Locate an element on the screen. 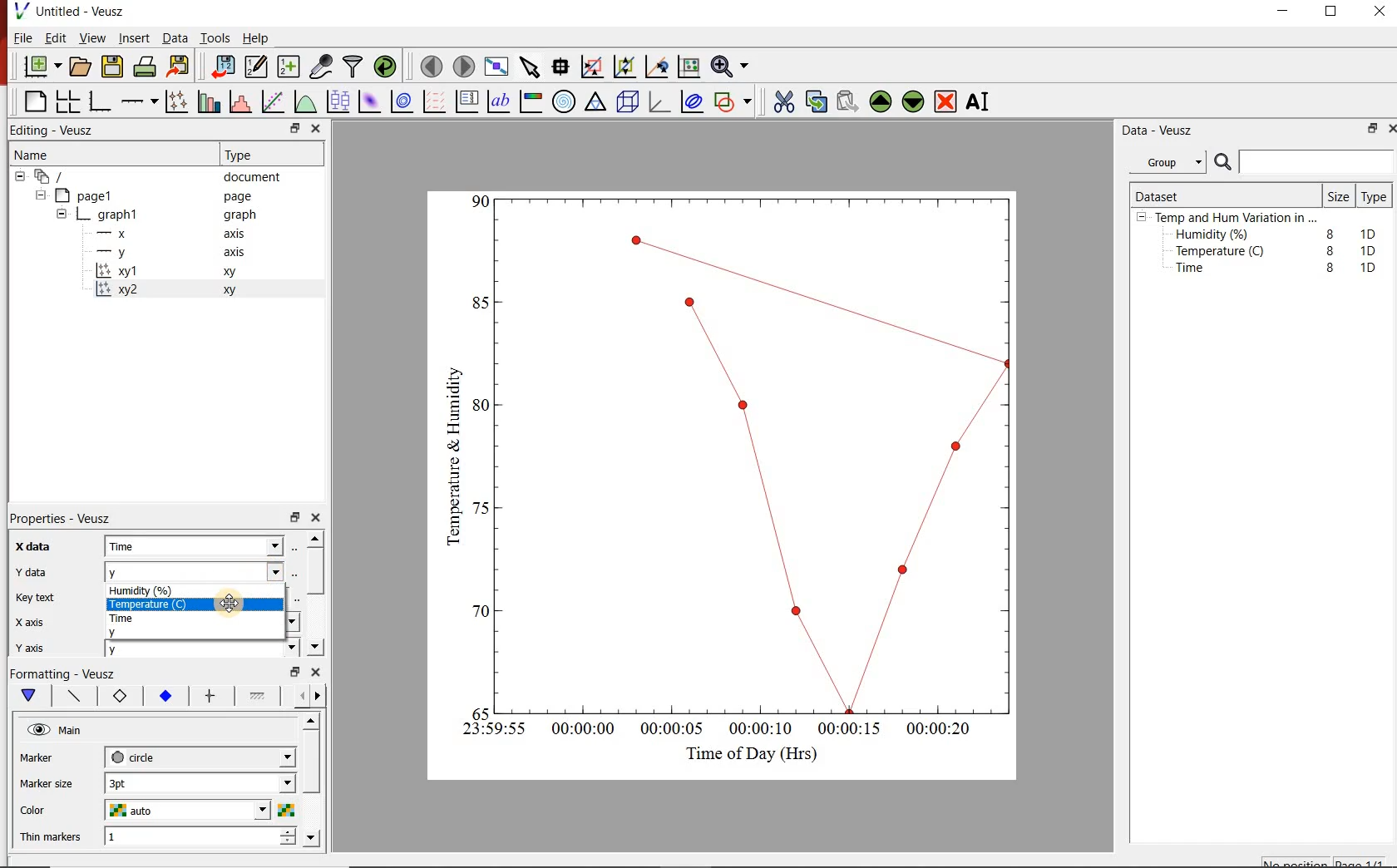 The image size is (1397, 868). View is located at coordinates (92, 38).